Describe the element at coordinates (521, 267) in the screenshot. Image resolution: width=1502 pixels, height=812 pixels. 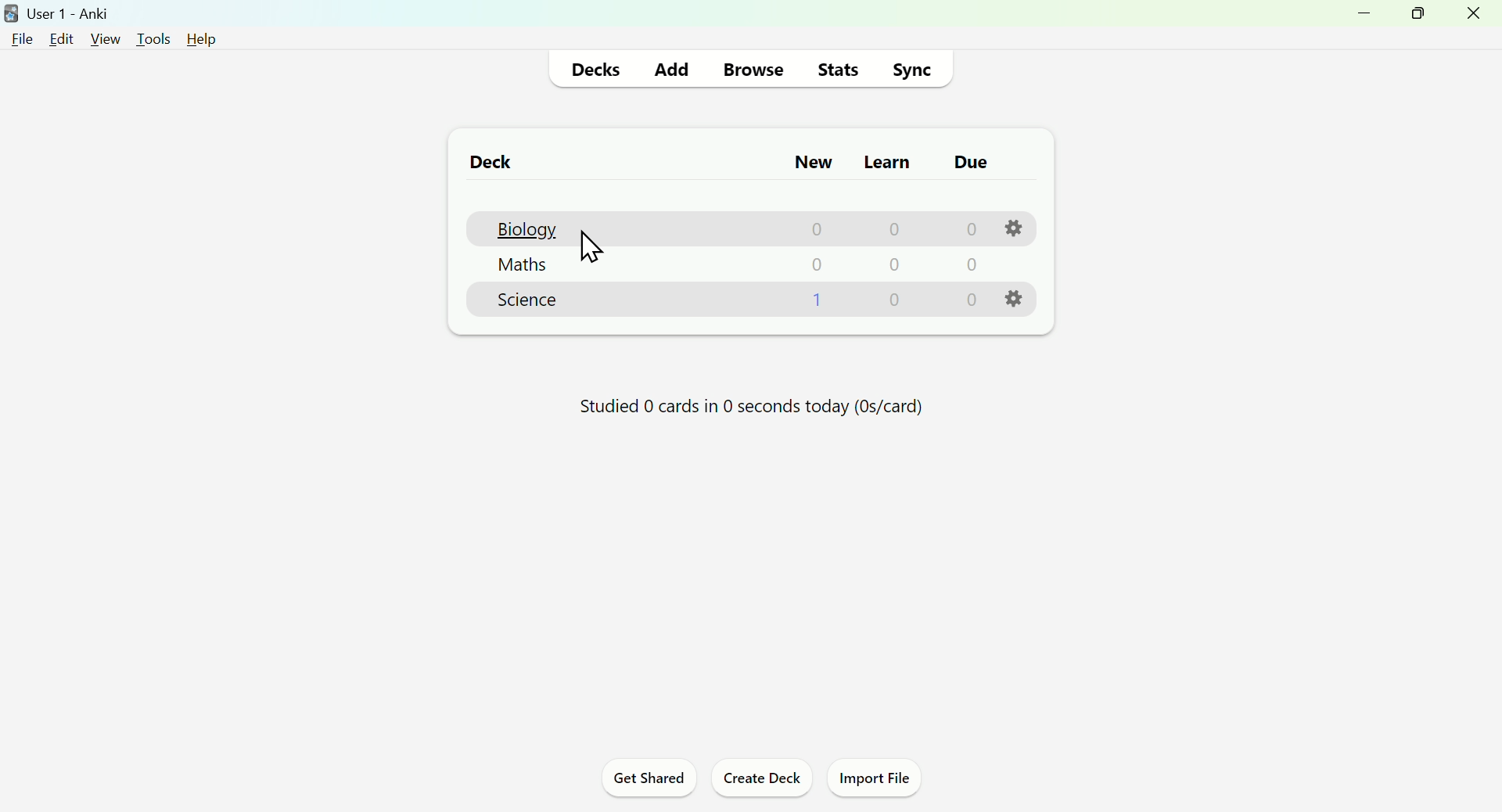
I see `Maths` at that location.